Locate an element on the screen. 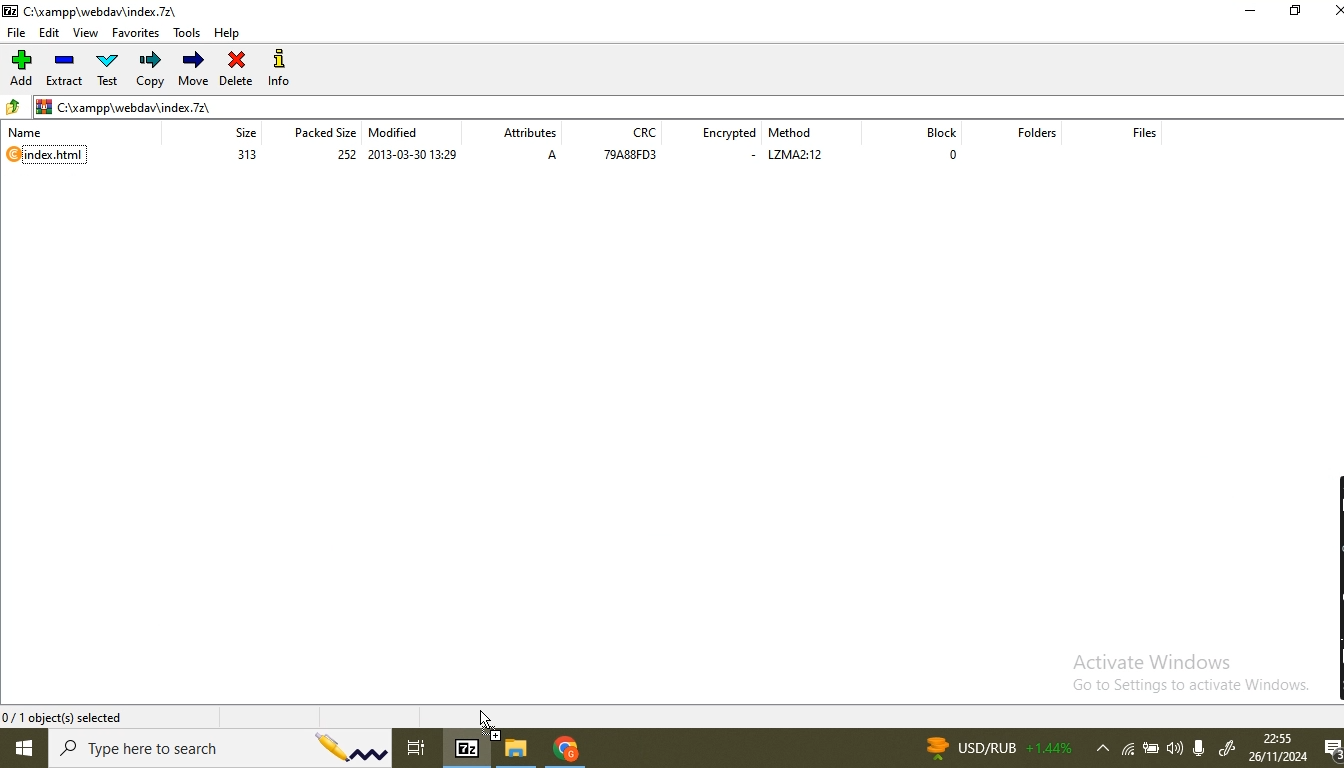 This screenshot has height=768, width=1344. microphone is located at coordinates (1204, 746).